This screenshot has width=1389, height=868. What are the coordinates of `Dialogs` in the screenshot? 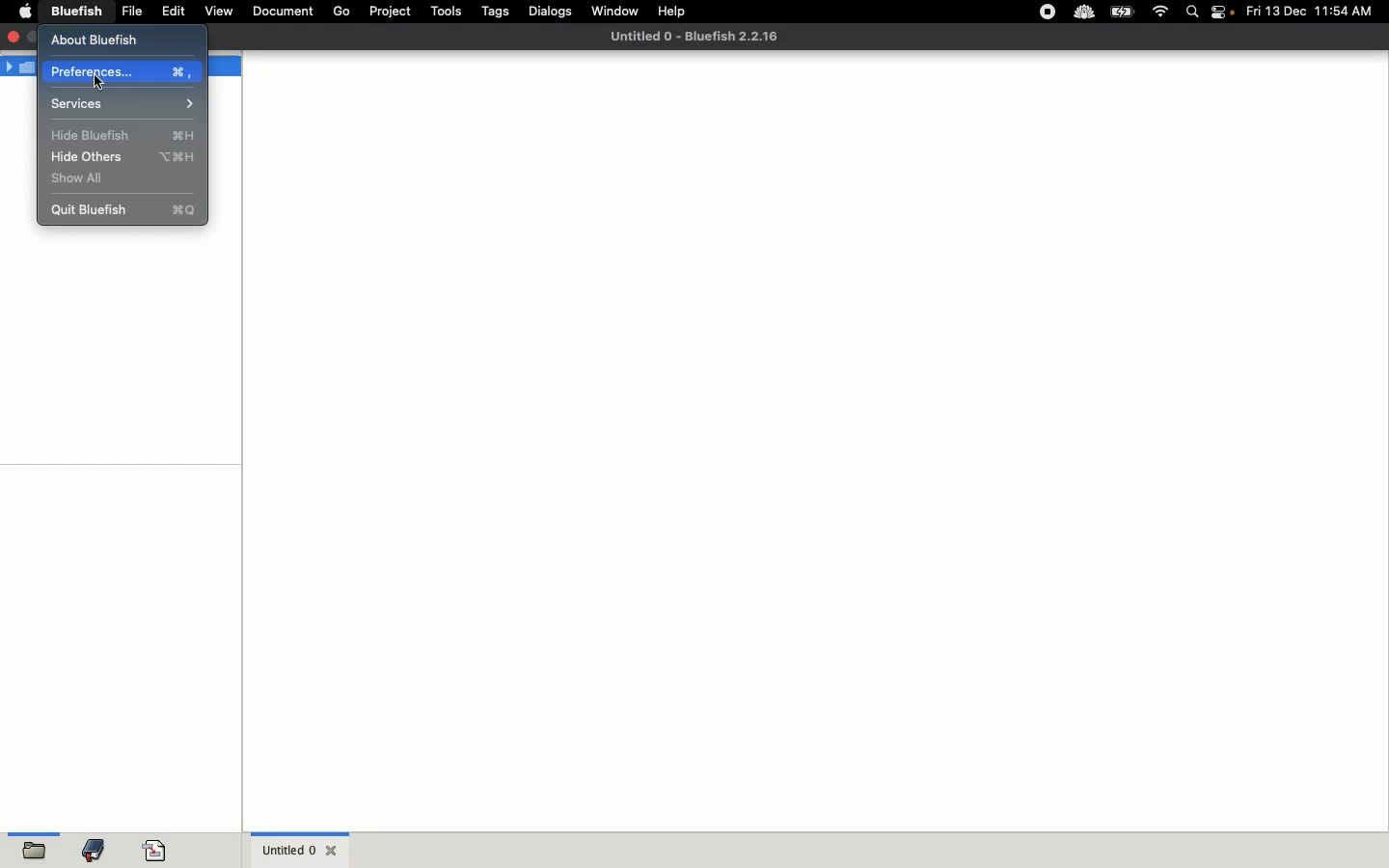 It's located at (550, 11).